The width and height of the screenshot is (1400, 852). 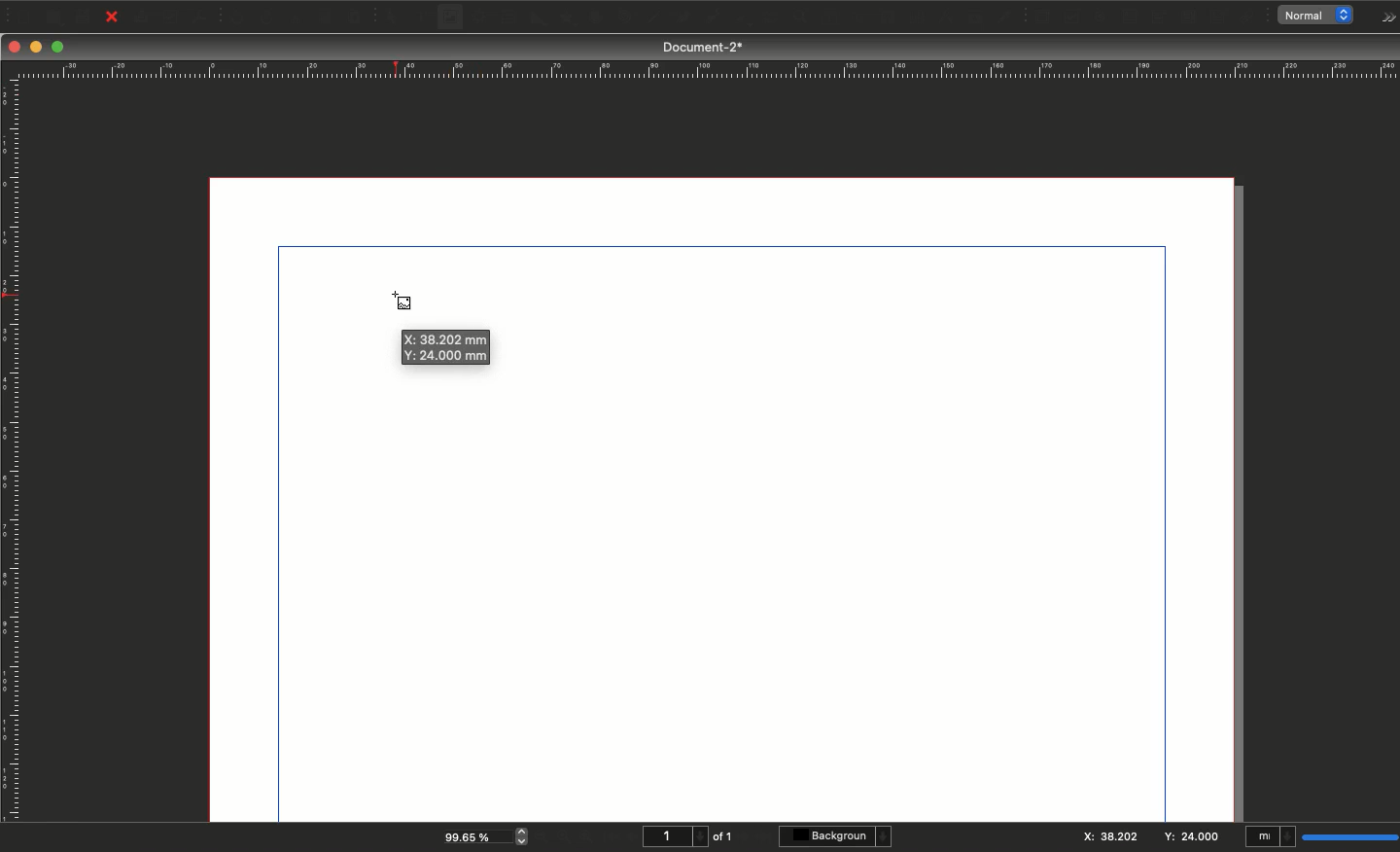 I want to click on Line, so click(x=652, y=18).